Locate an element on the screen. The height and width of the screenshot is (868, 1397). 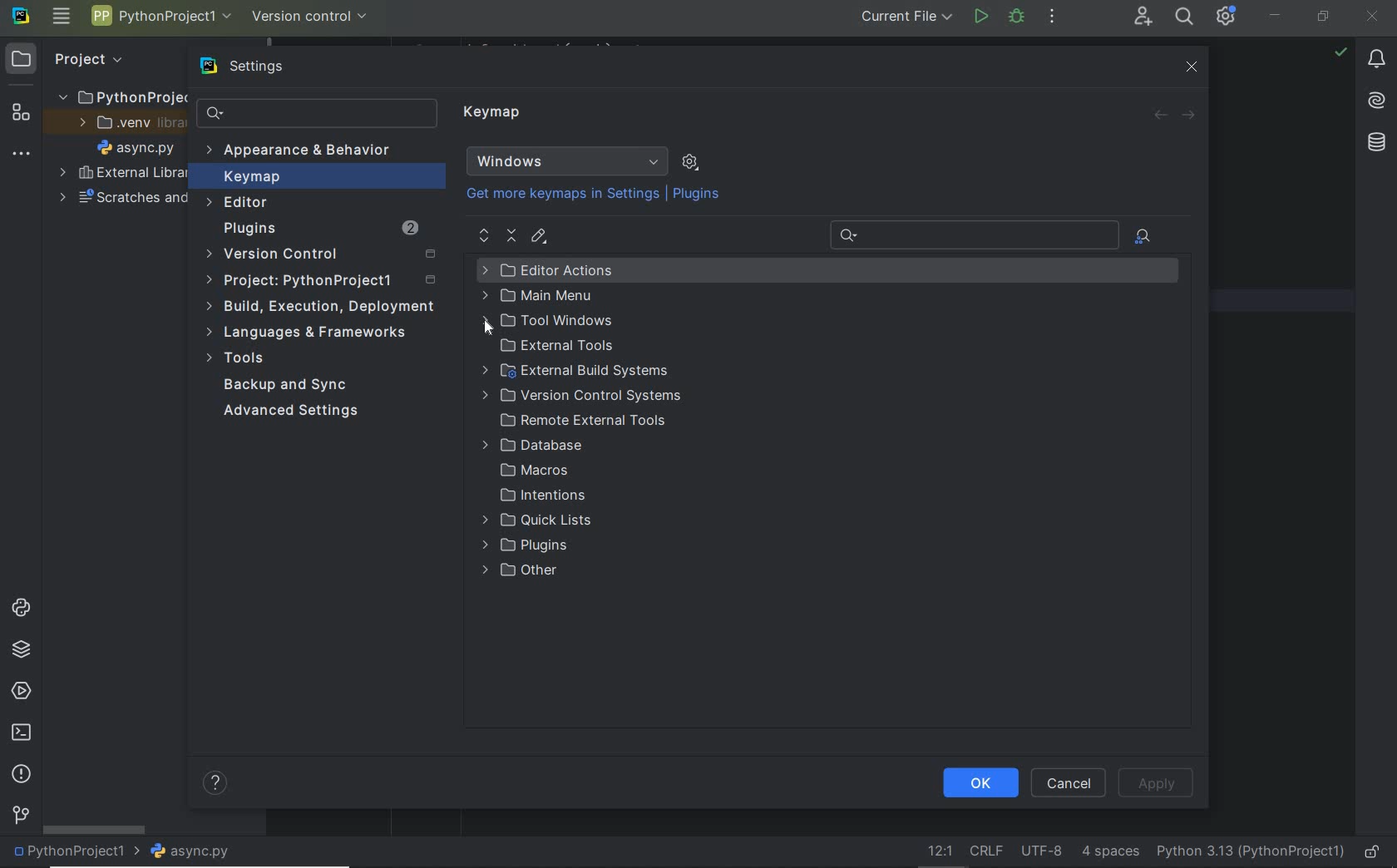
build, execution, deployment is located at coordinates (319, 307).